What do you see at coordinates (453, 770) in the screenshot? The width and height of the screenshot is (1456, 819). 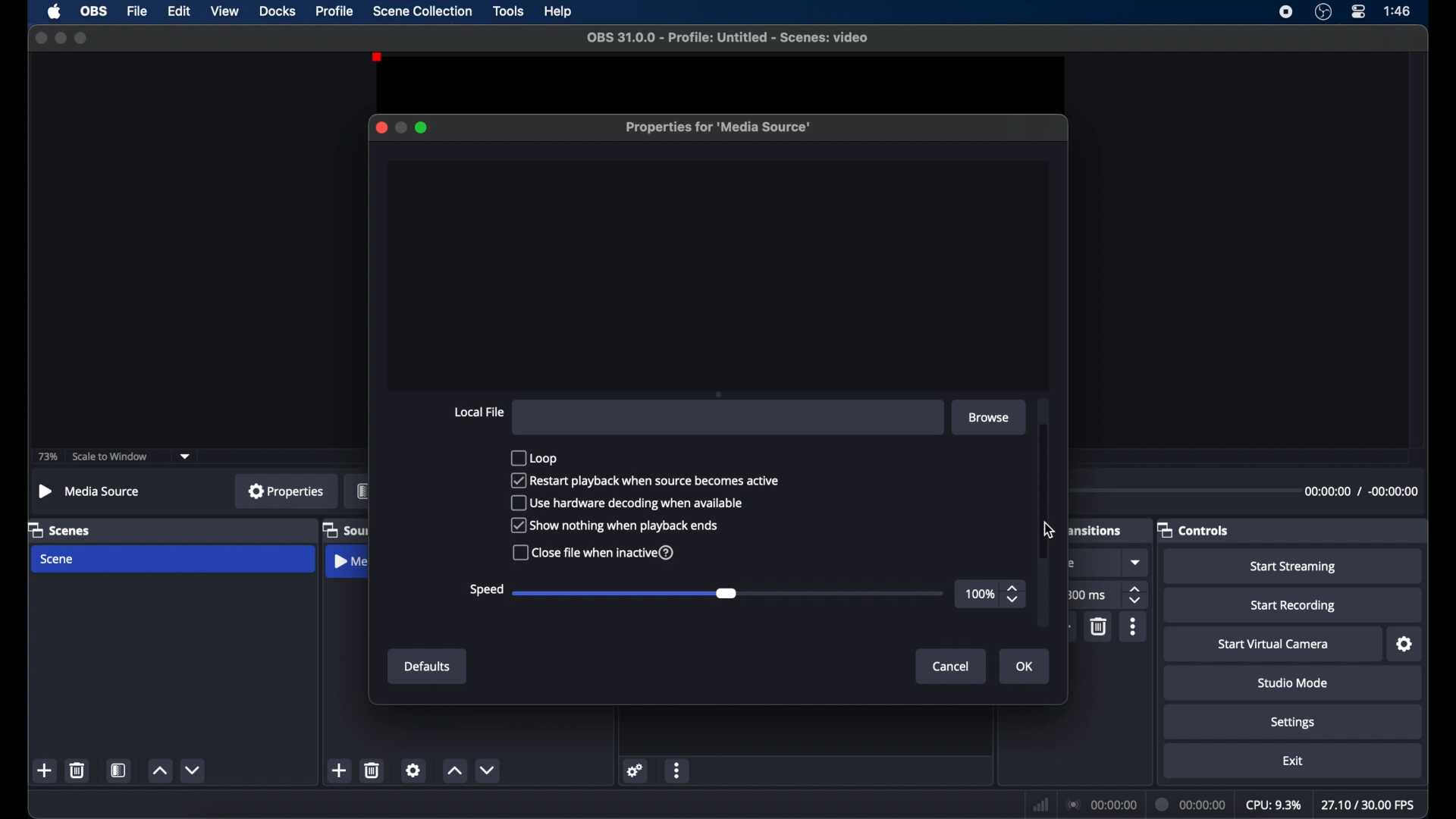 I see `increment` at bounding box center [453, 770].